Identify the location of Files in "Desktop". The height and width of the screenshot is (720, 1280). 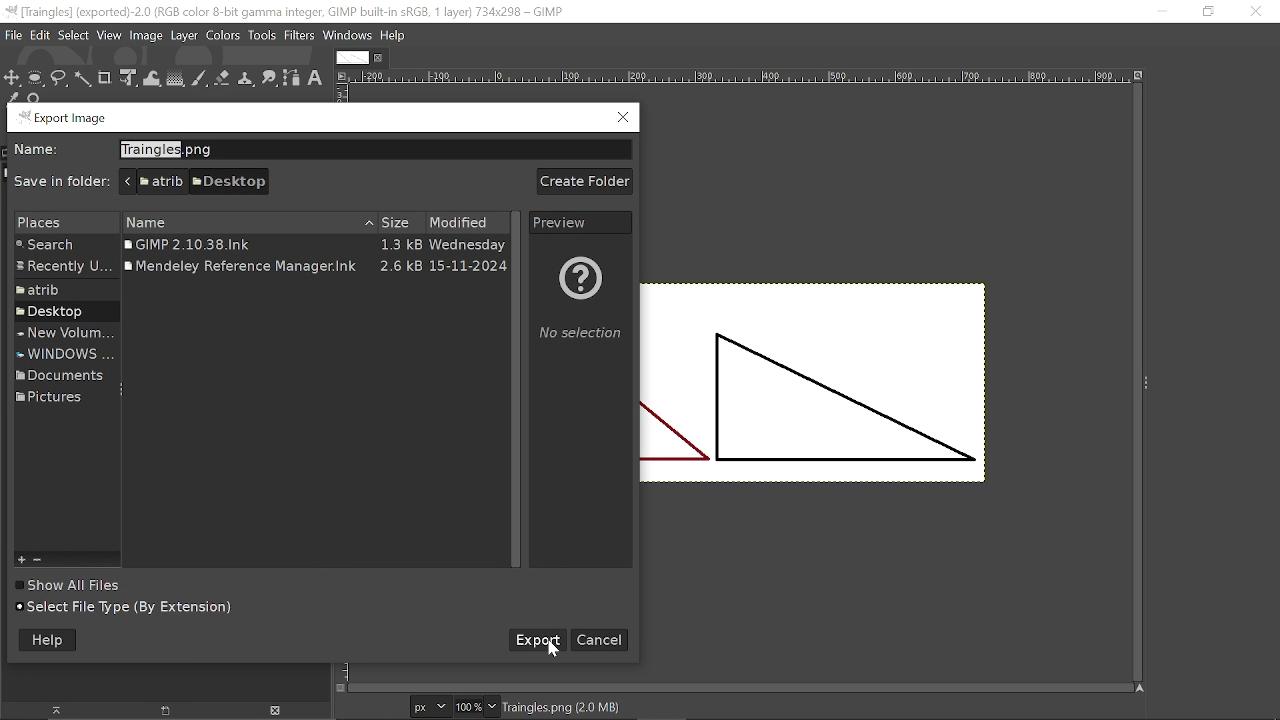
(315, 246).